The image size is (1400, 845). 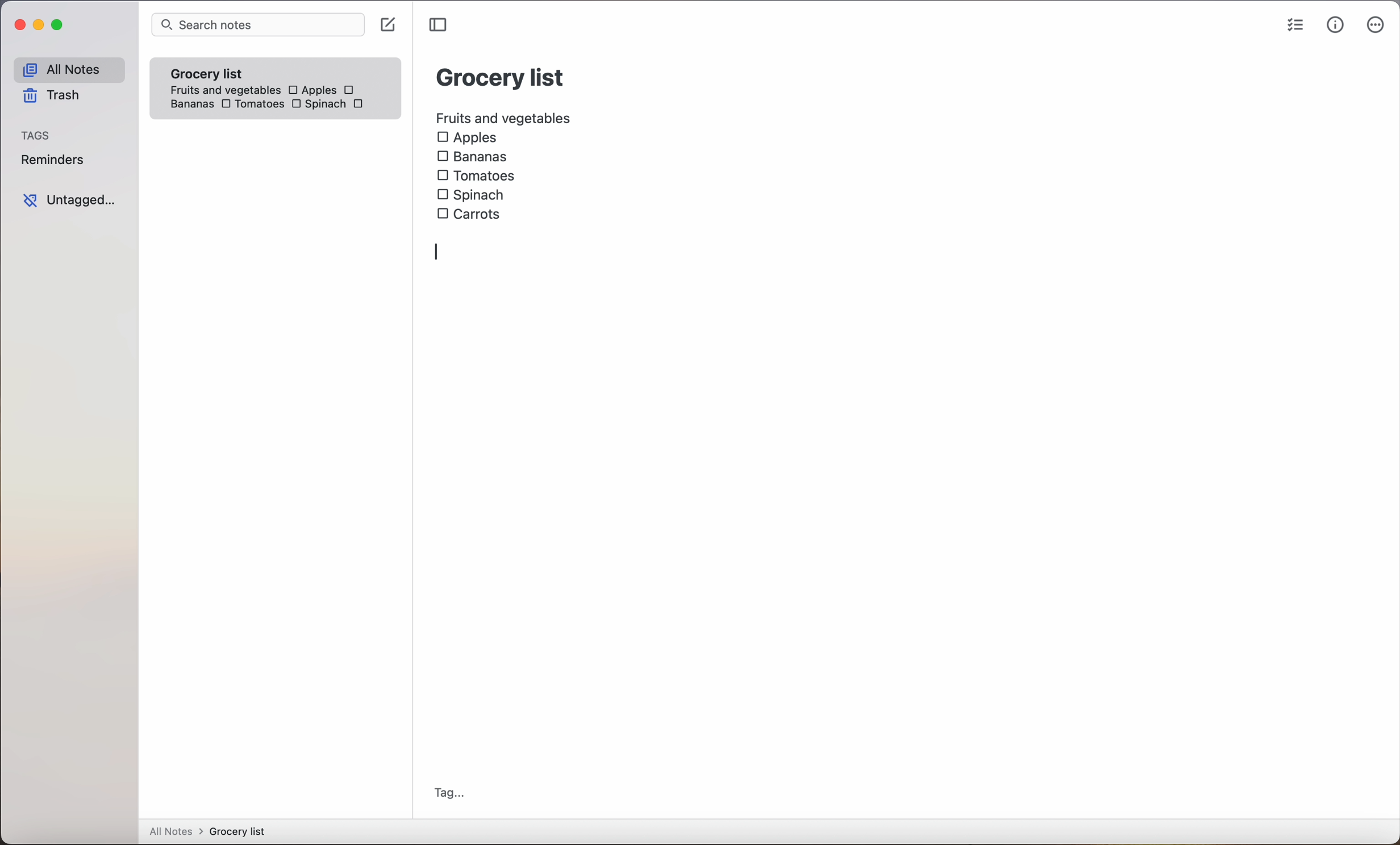 I want to click on enter action/writing bar, so click(x=439, y=252).